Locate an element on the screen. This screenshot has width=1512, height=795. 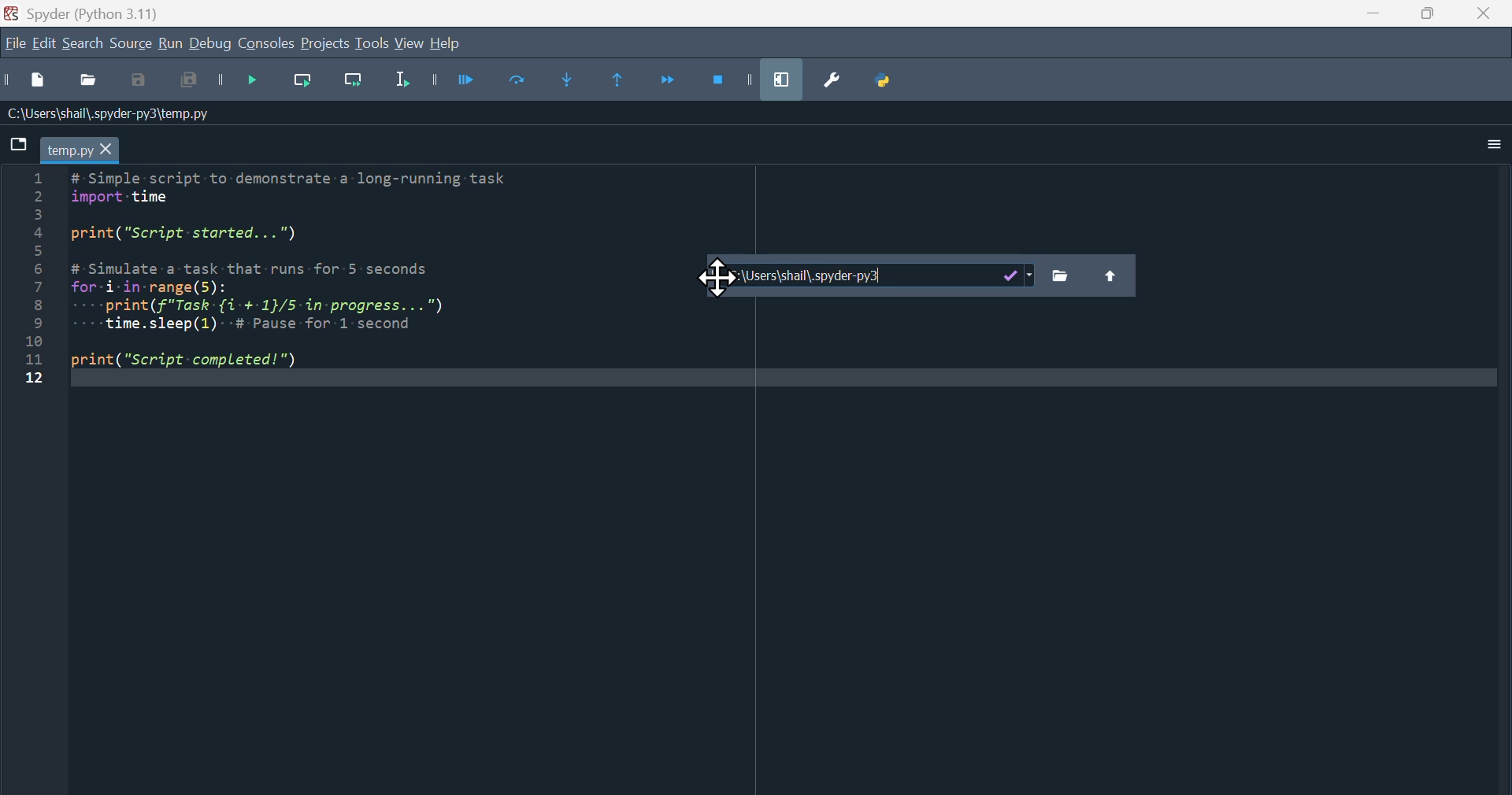
Filename is located at coordinates (79, 148).